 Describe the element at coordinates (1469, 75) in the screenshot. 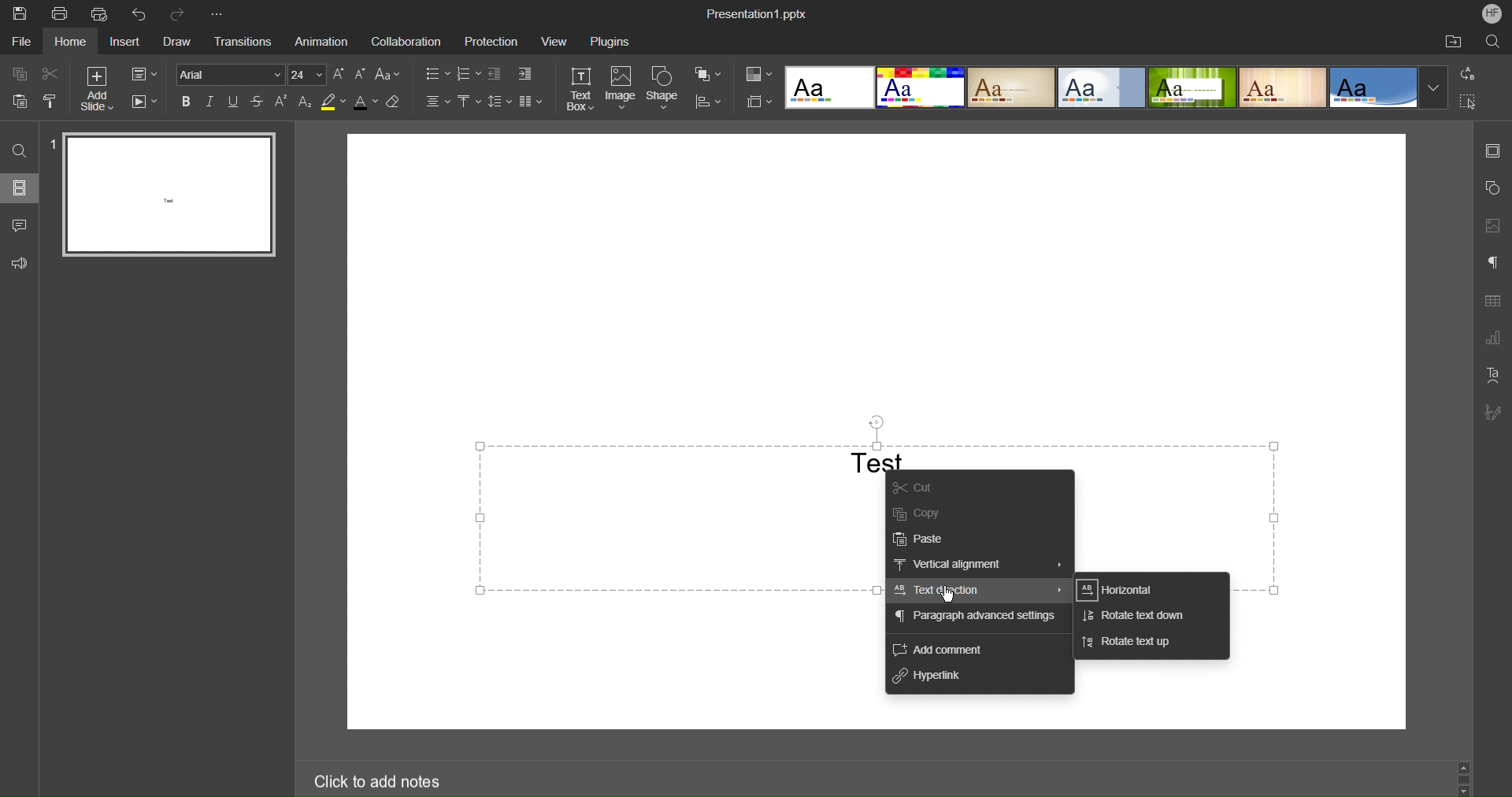

I see `Replace` at that location.